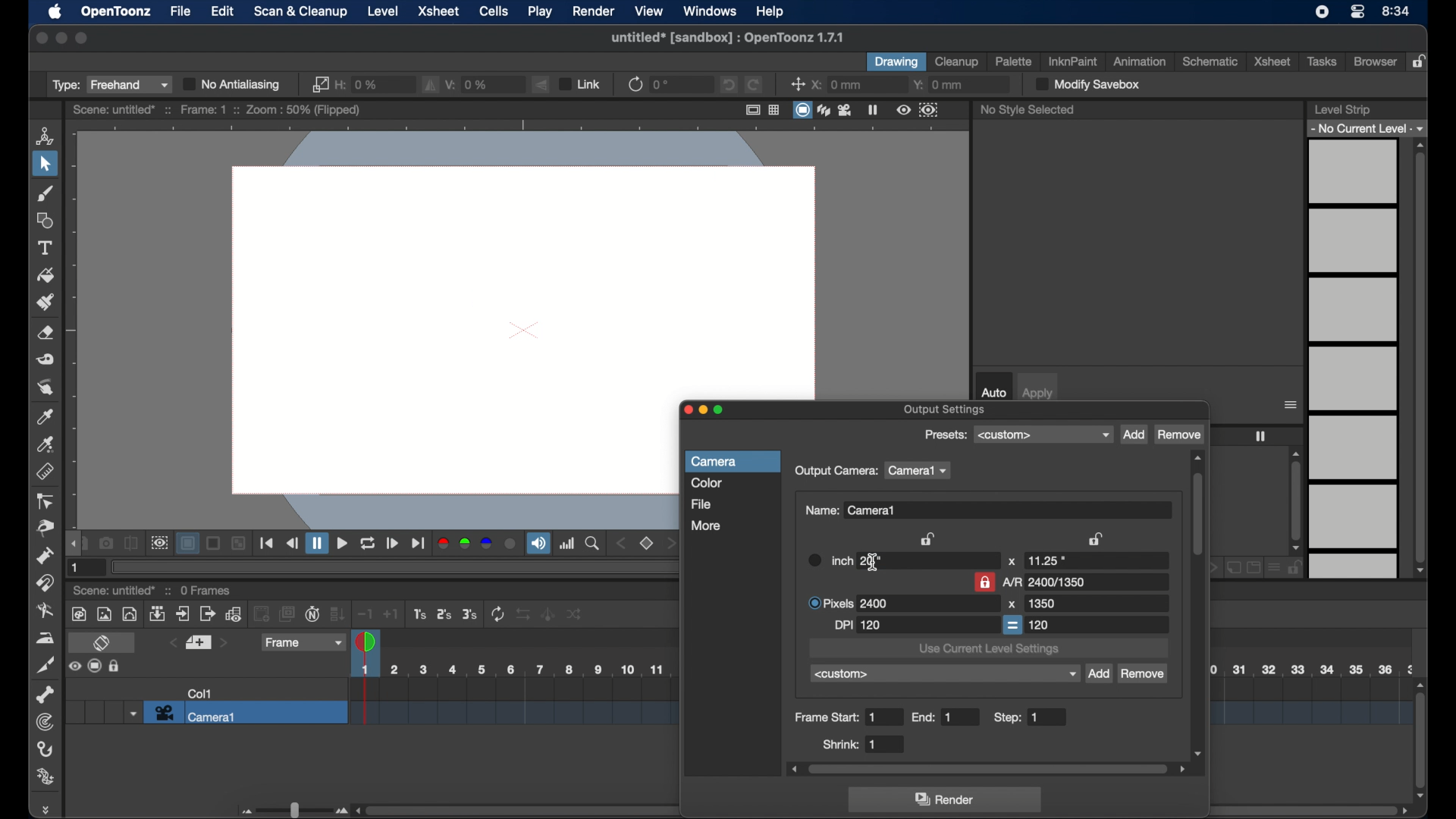 The width and height of the screenshot is (1456, 819). Describe the element at coordinates (1421, 62) in the screenshot. I see `lock` at that location.